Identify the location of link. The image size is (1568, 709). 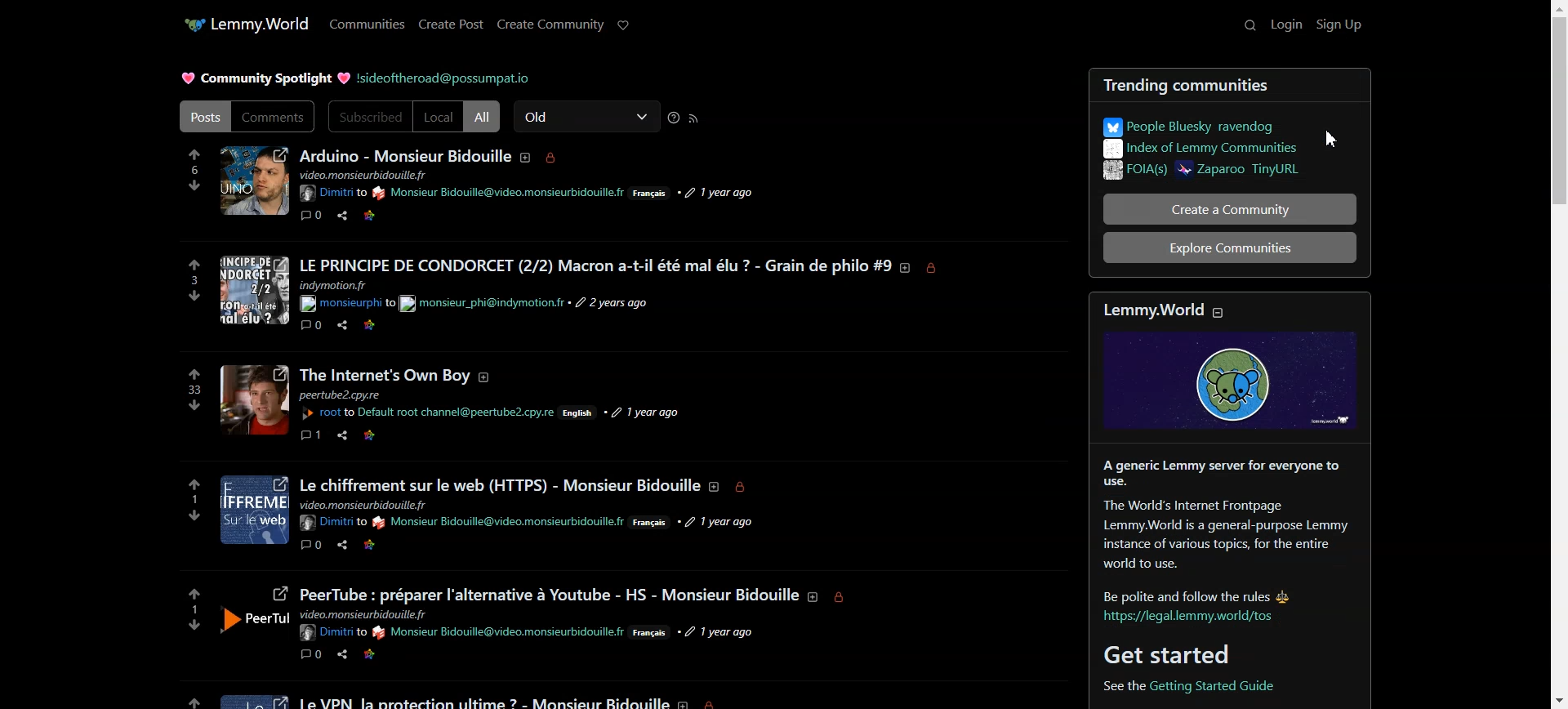
(372, 435).